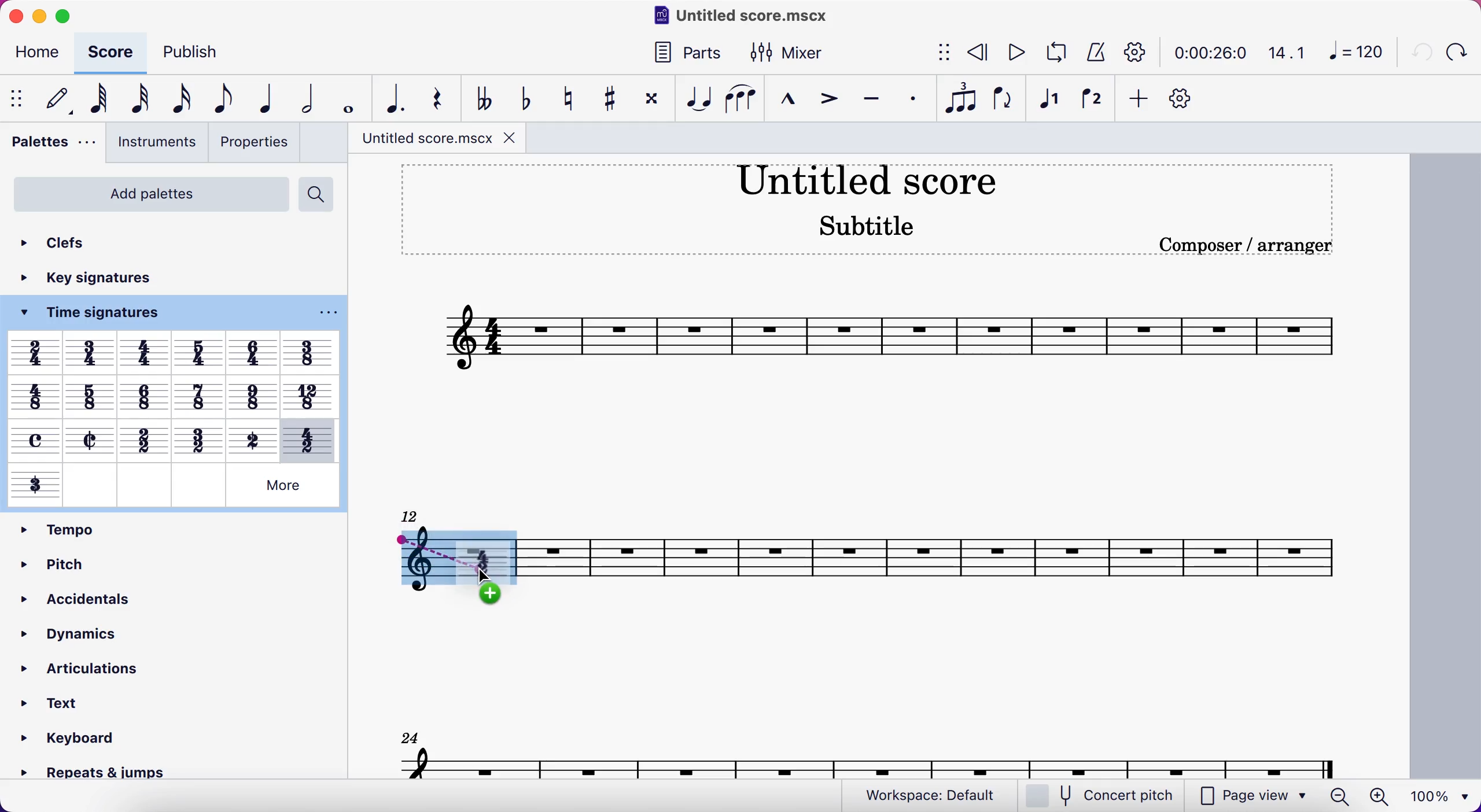 This screenshot has height=812, width=1481. I want to click on title, so click(435, 139).